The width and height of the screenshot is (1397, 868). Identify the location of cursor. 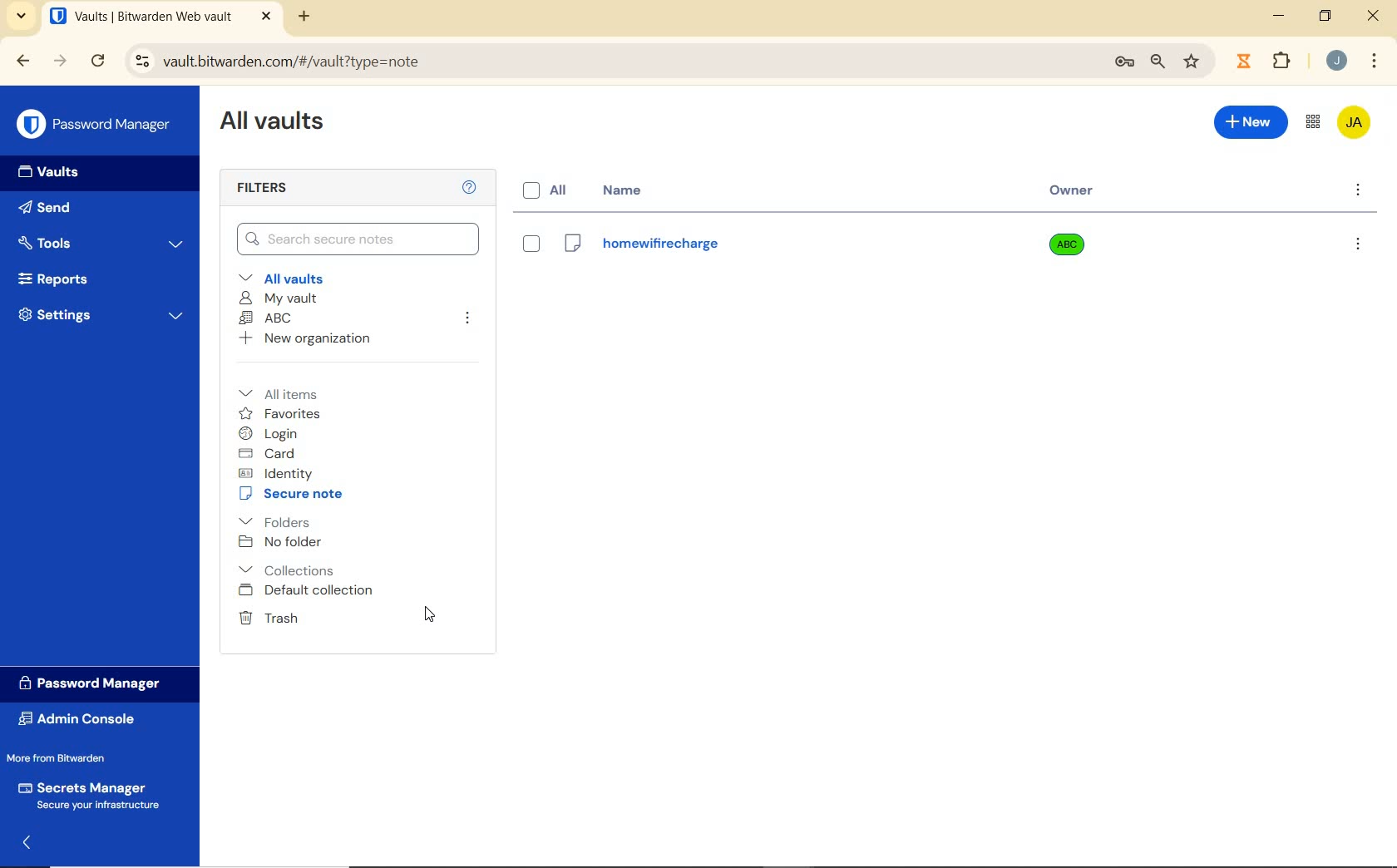
(432, 615).